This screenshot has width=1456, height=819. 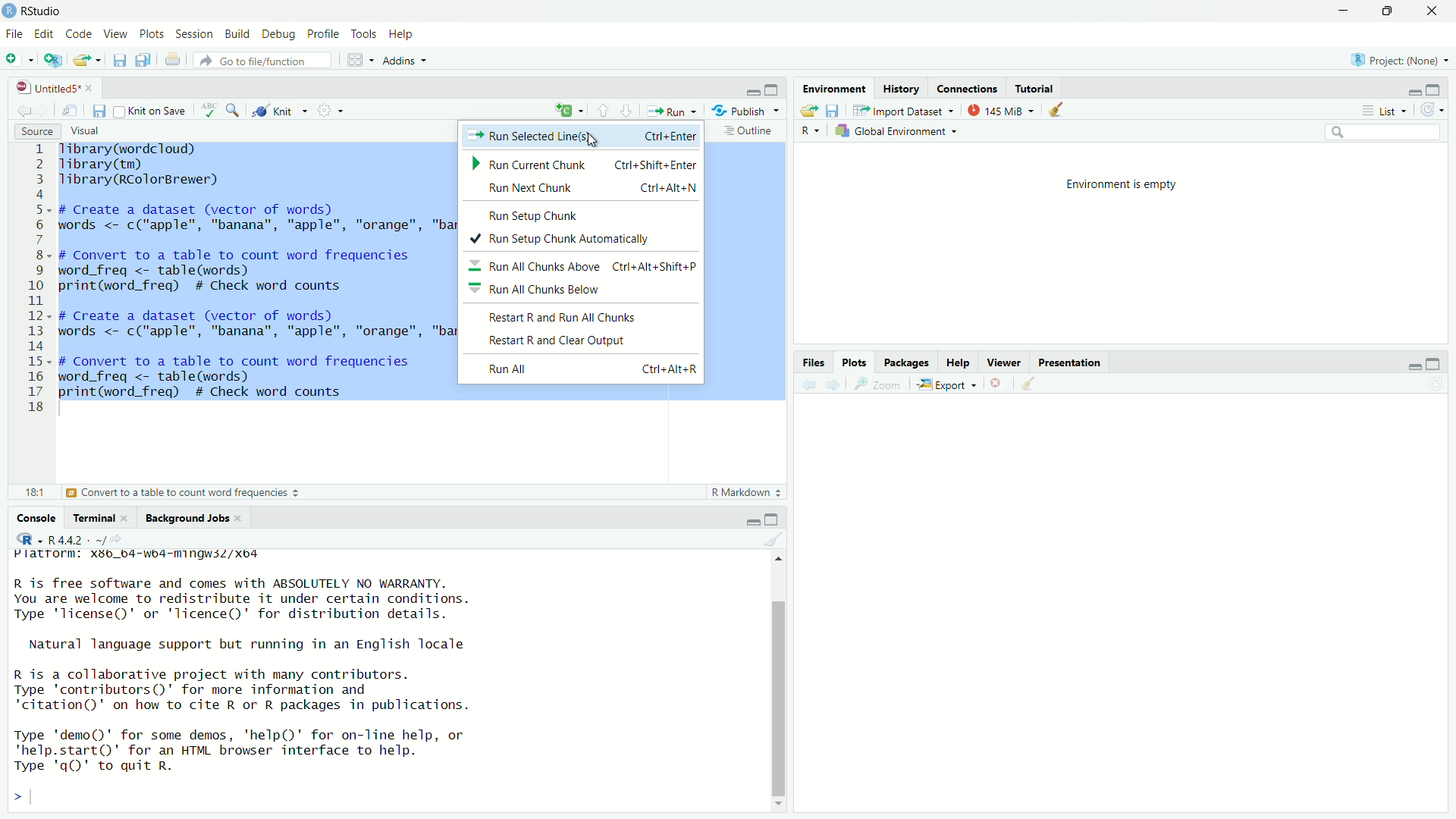 I want to click on Go forward to the next source location, so click(x=45, y=111).